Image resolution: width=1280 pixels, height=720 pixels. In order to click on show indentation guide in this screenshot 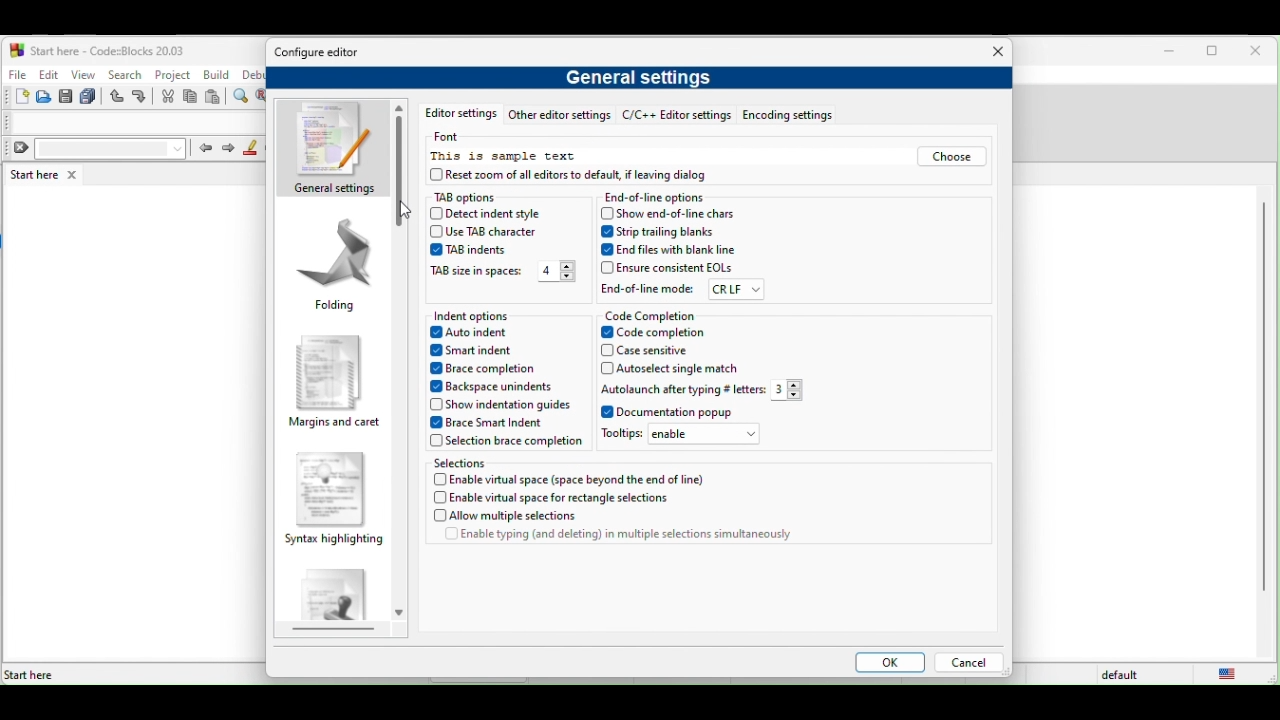, I will do `click(499, 404)`.